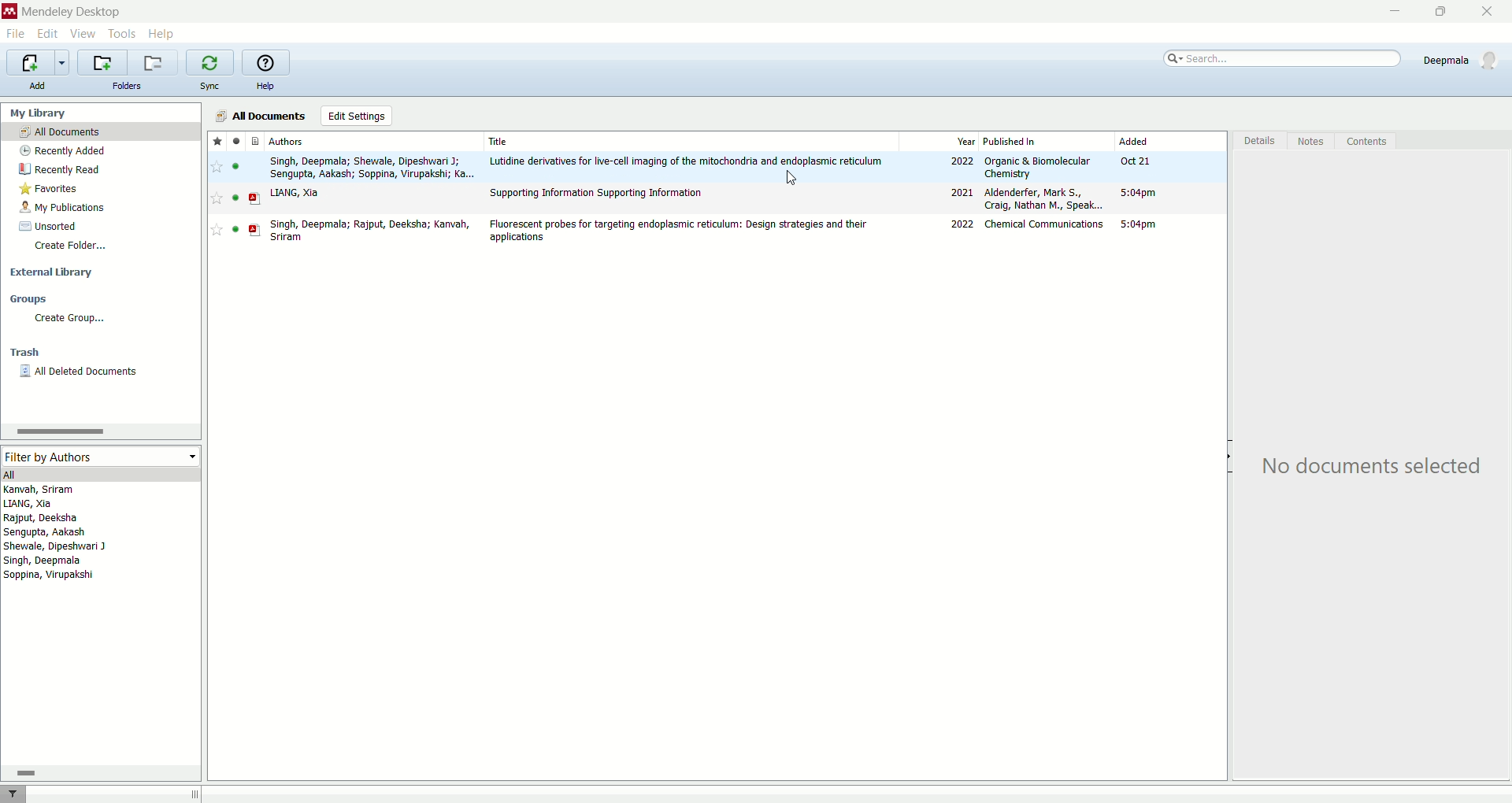 The image size is (1512, 803). Describe the element at coordinates (98, 456) in the screenshot. I see `filter by authors` at that location.